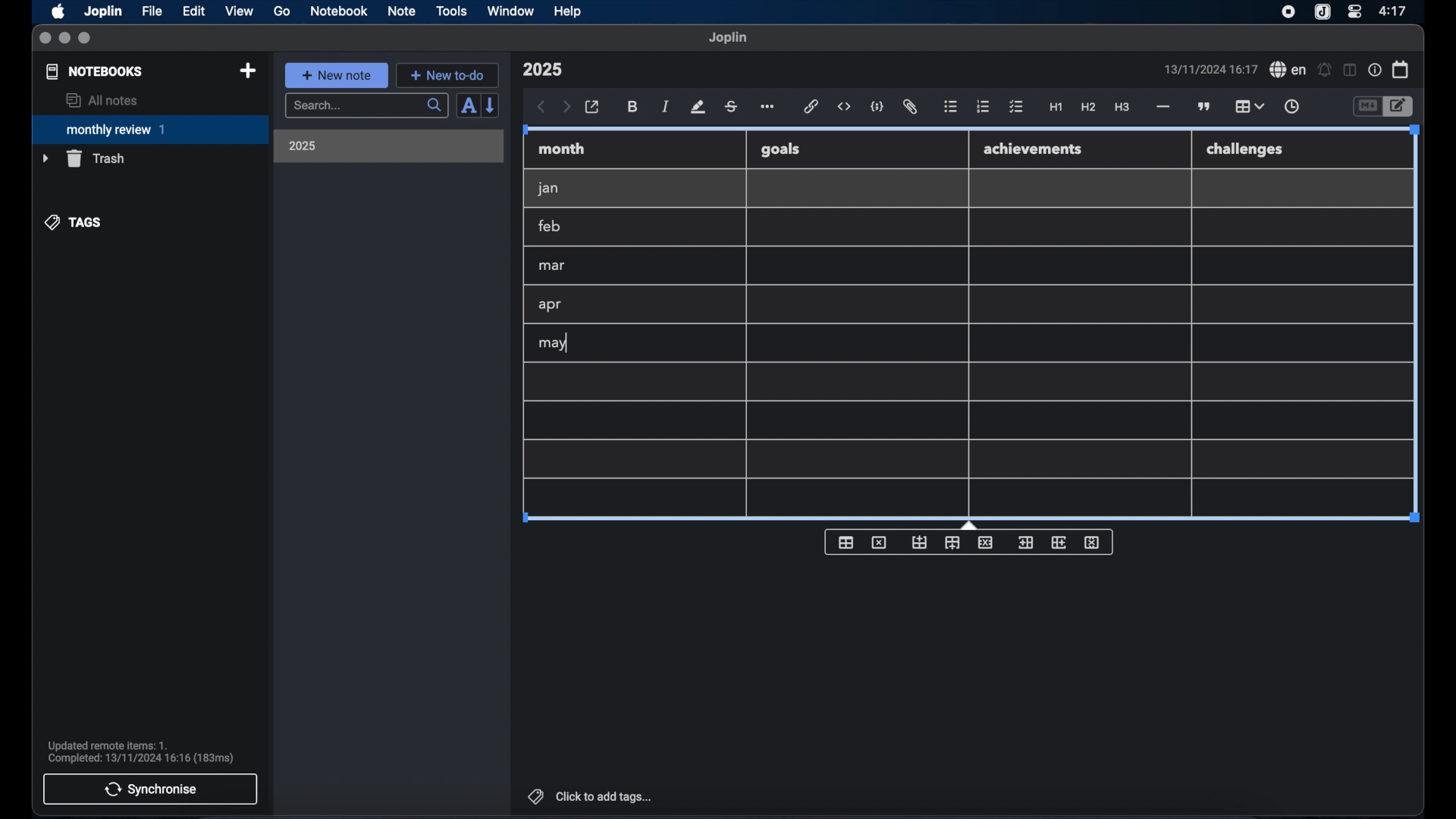 The image size is (1456, 819). What do you see at coordinates (511, 11) in the screenshot?
I see `window` at bounding box center [511, 11].